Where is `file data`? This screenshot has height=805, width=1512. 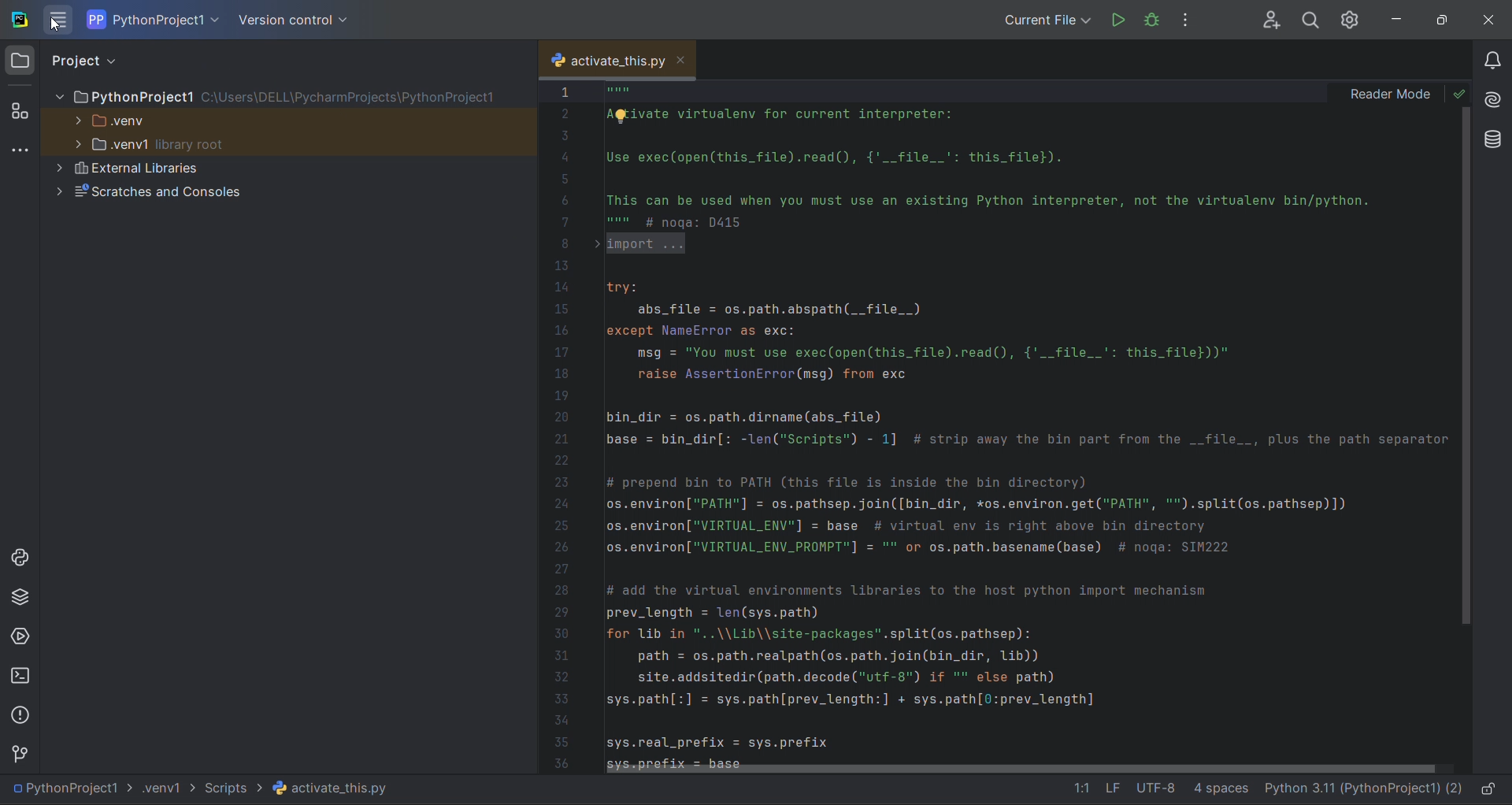
file data is located at coordinates (1152, 789).